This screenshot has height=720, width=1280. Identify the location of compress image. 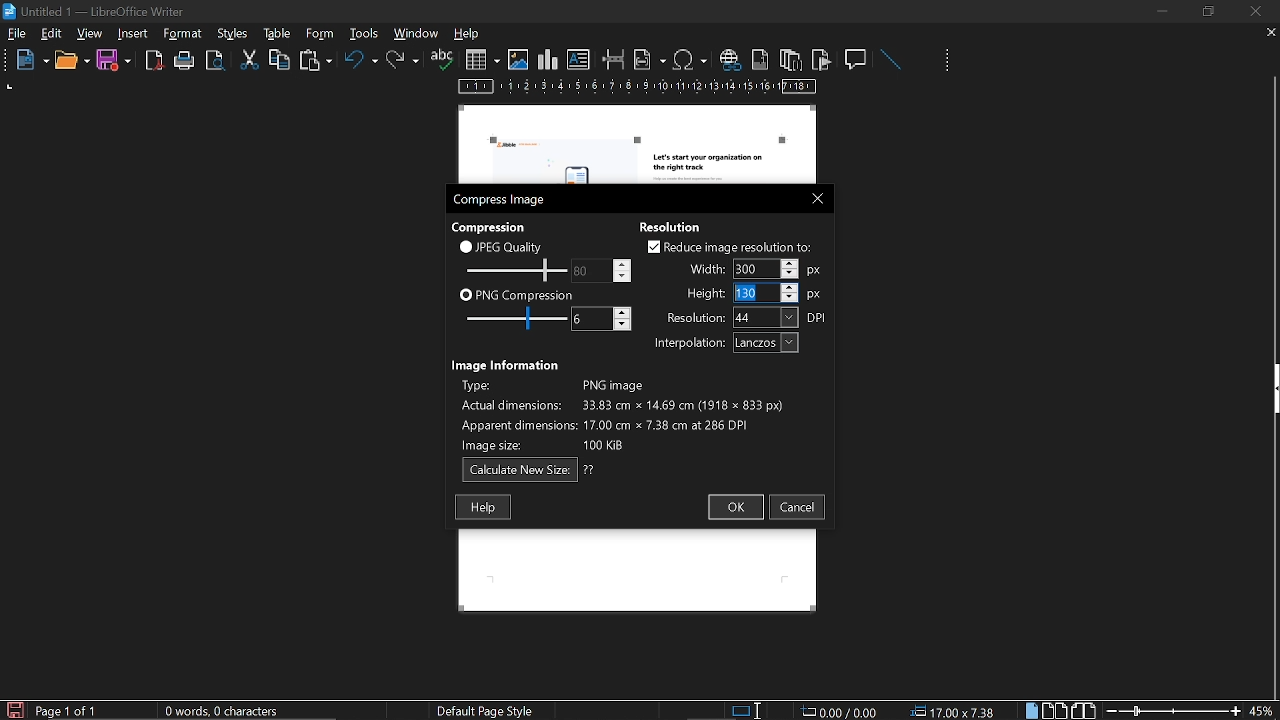
(502, 200).